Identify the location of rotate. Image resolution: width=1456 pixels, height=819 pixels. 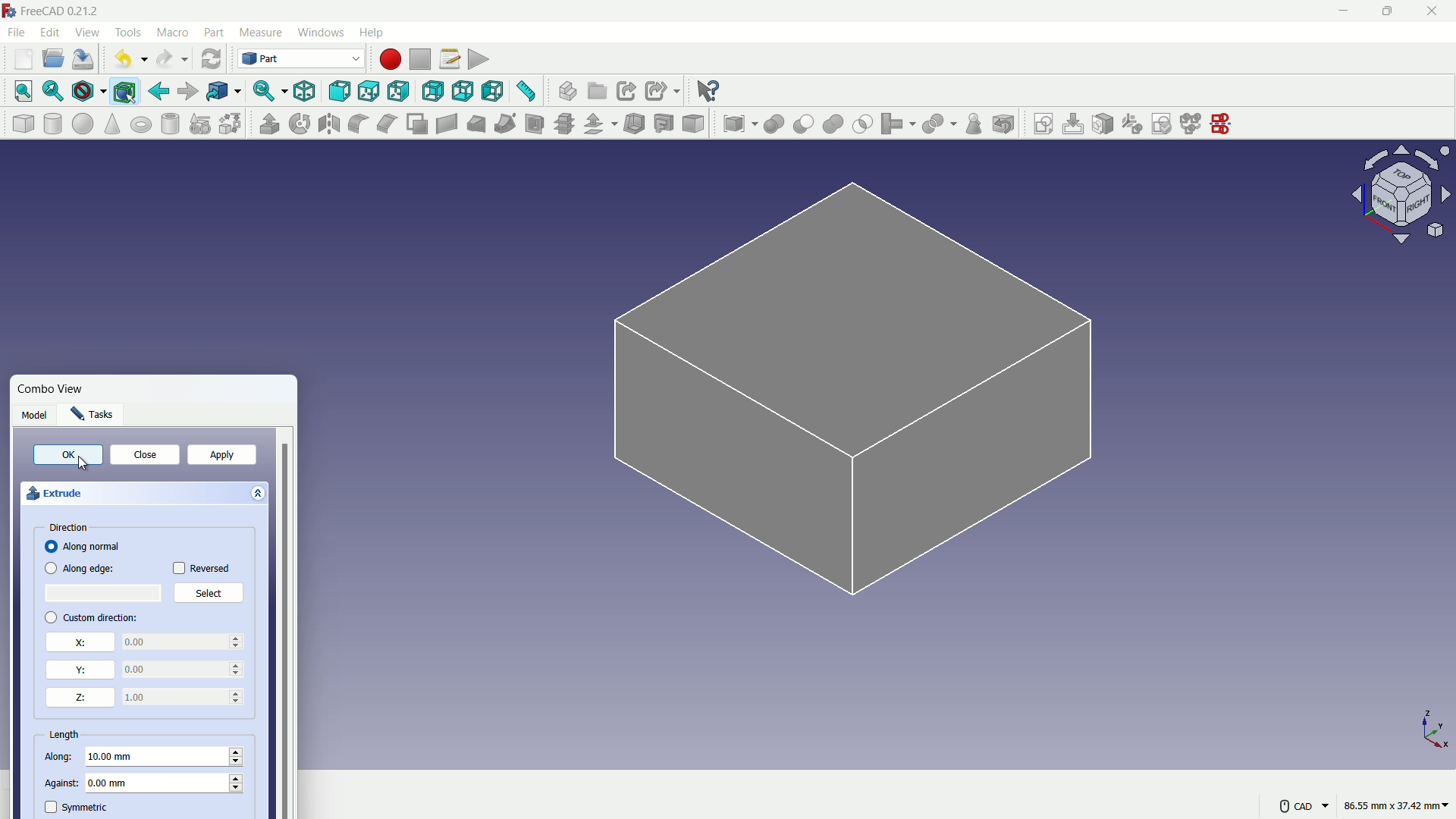
(301, 123).